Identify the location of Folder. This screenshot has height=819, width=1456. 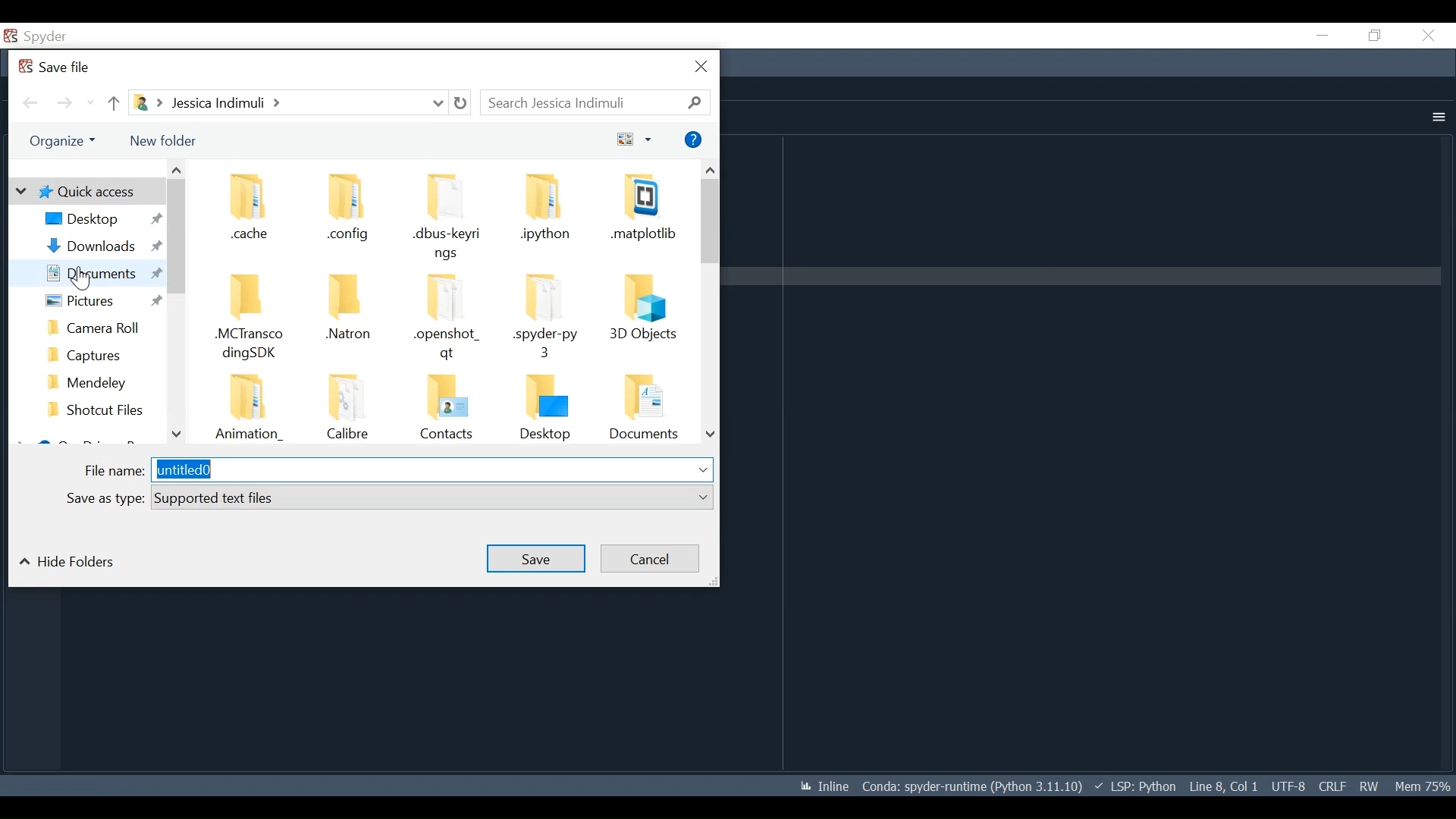
(547, 319).